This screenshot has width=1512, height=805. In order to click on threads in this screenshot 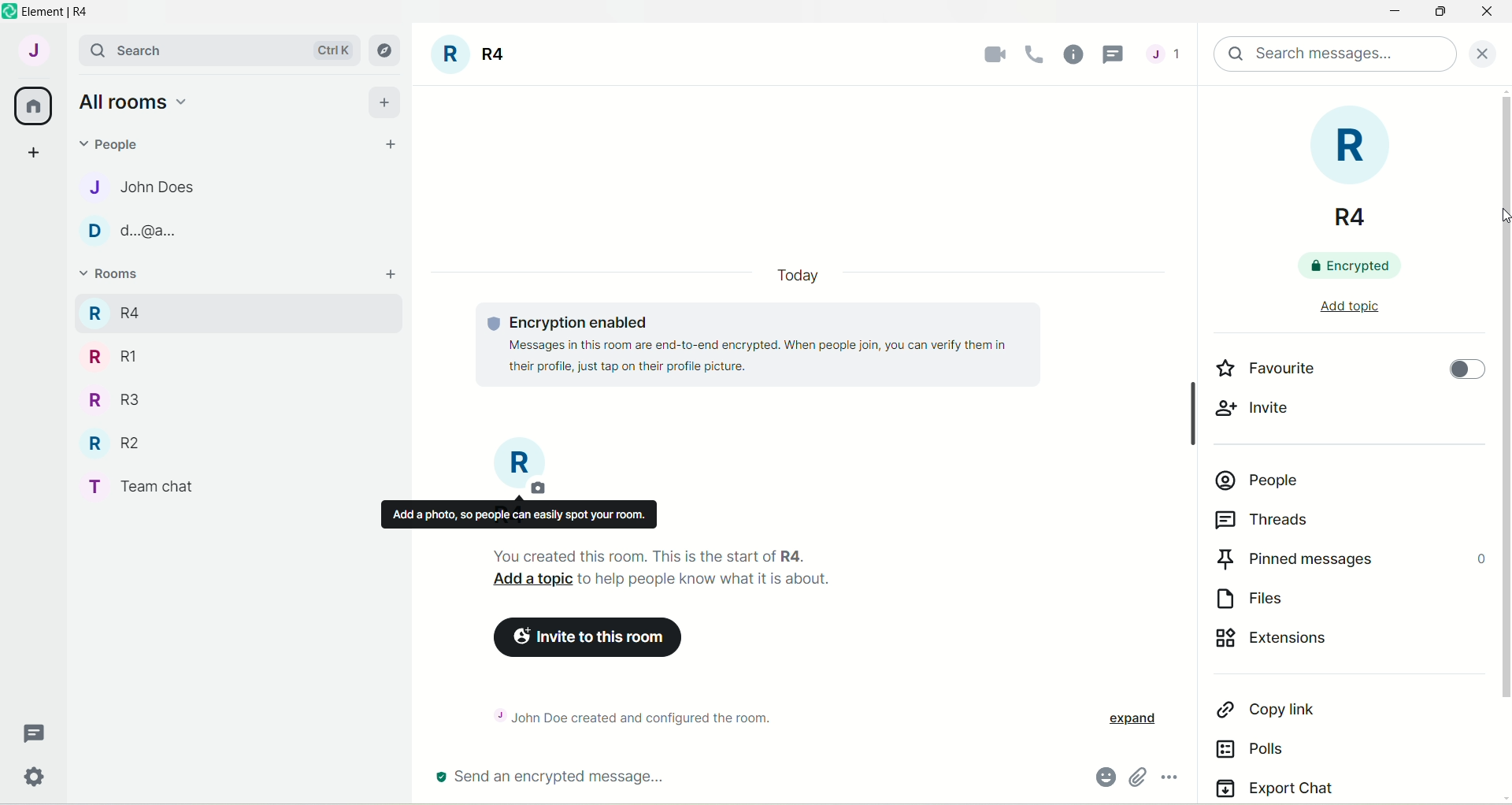, I will do `click(1164, 57)`.